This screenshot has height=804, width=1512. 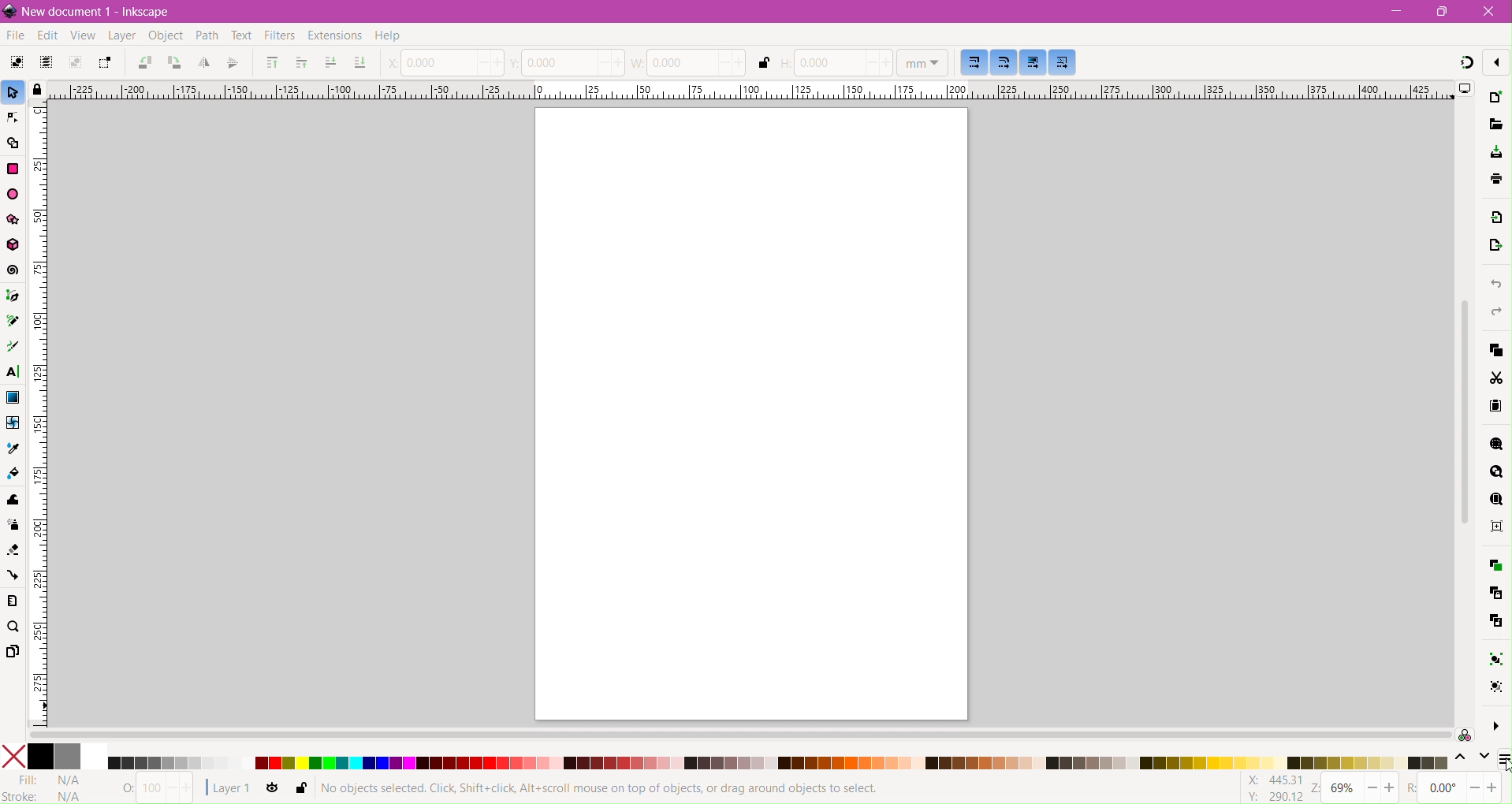 I want to click on Extensions, so click(x=333, y=36).